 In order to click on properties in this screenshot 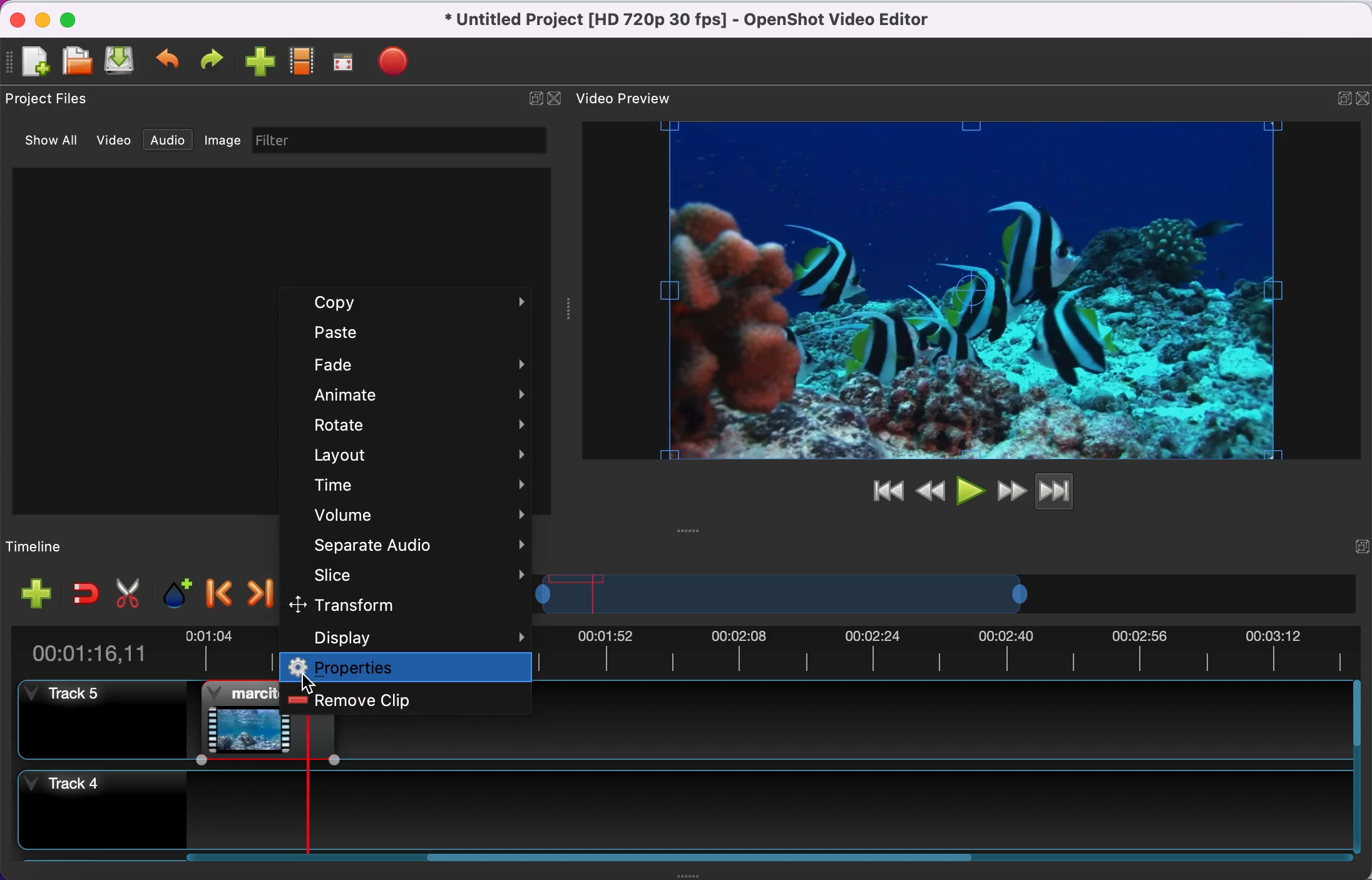, I will do `click(407, 668)`.